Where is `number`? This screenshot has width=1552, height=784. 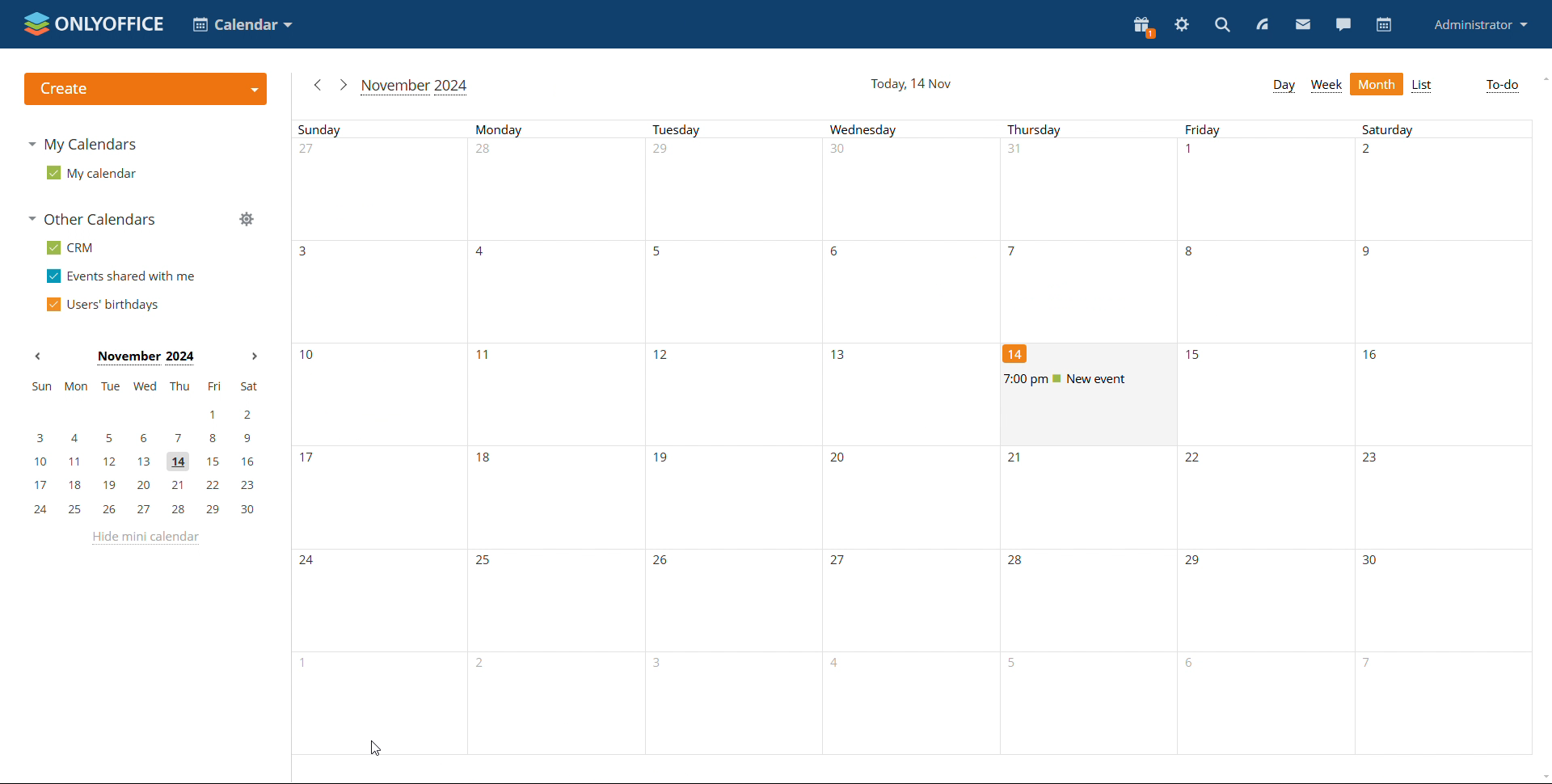 number is located at coordinates (1192, 252).